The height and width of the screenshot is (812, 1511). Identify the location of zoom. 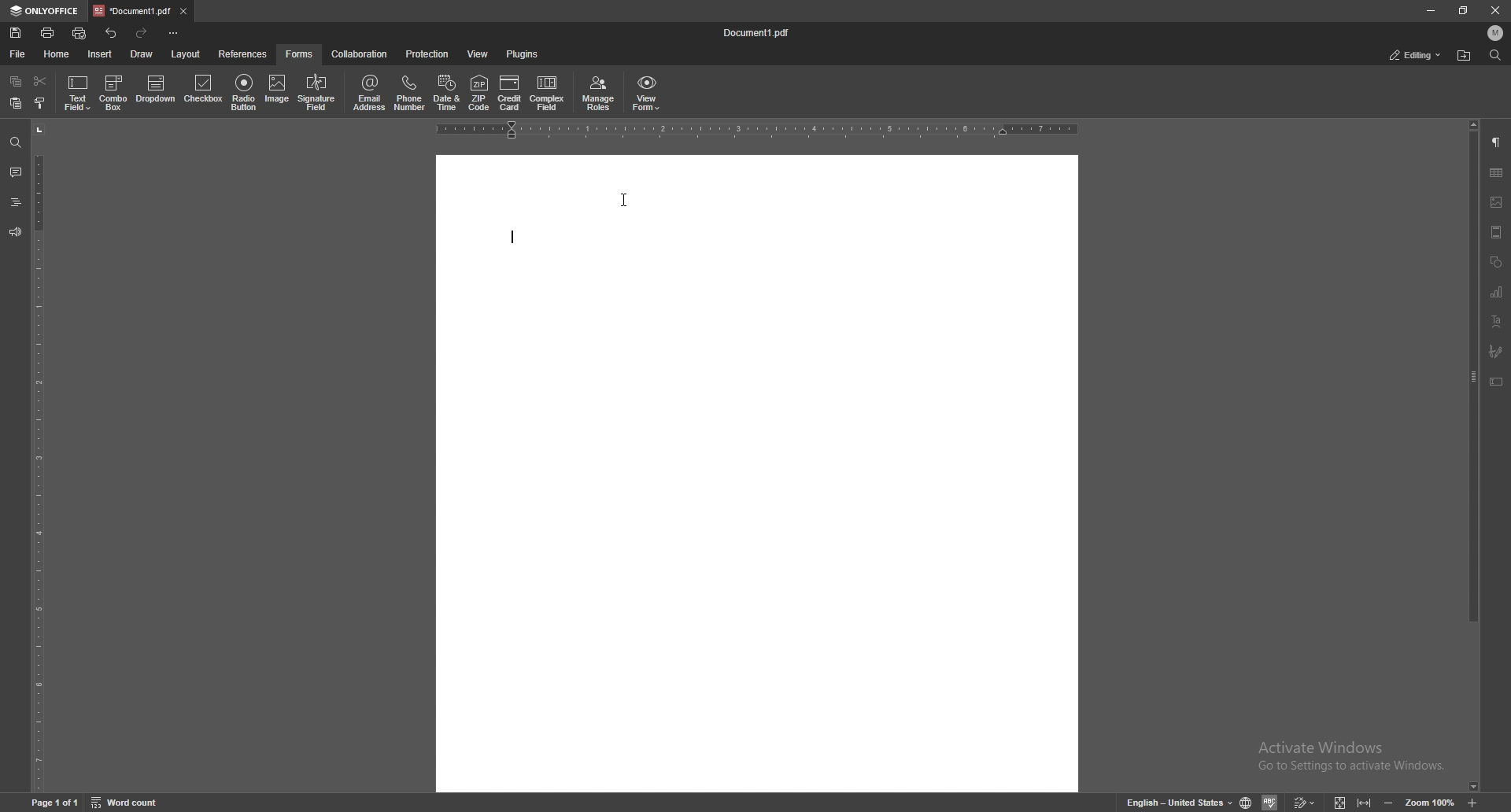
(1432, 802).